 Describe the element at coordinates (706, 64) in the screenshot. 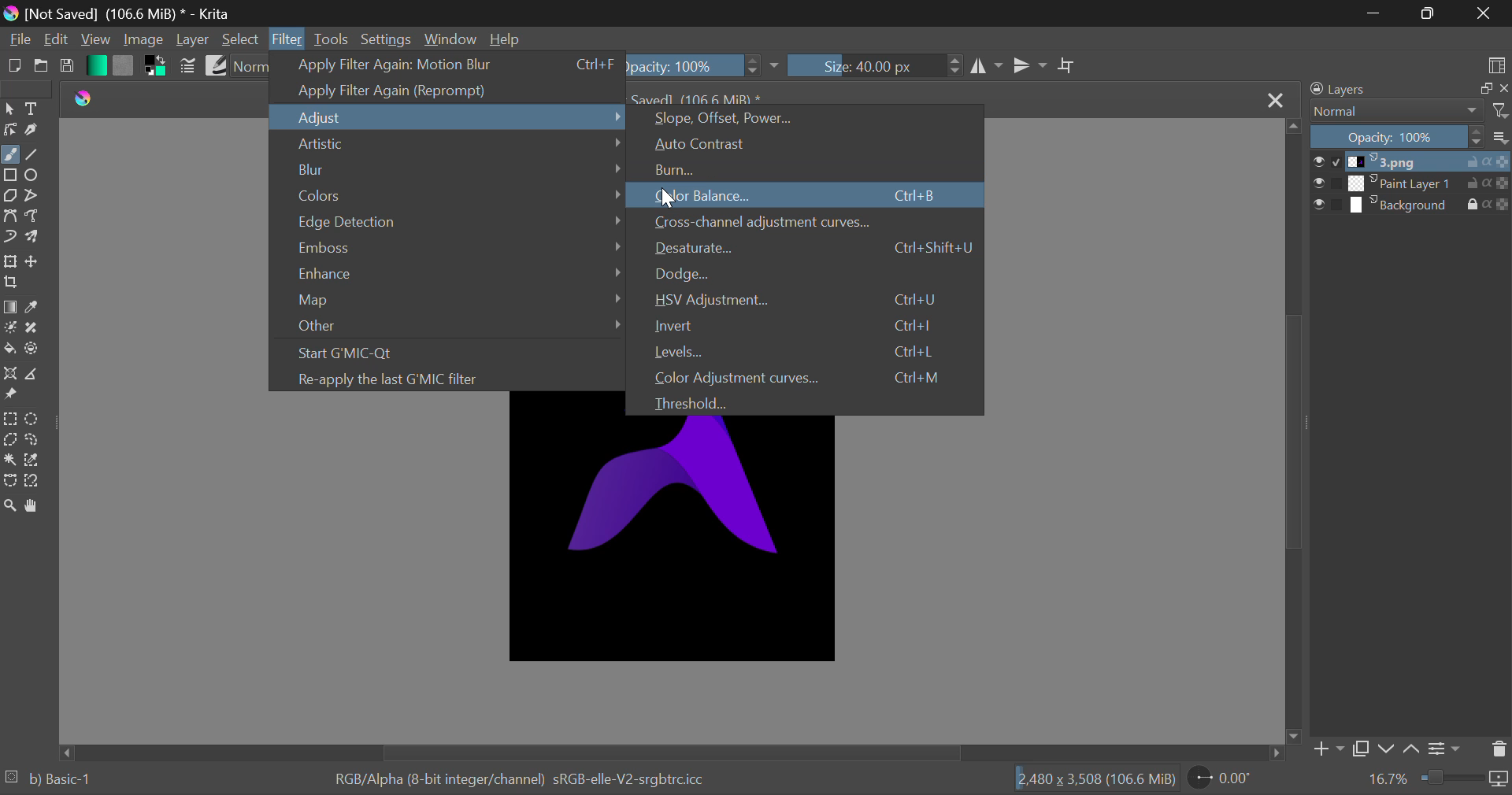

I see `opacity` at that location.